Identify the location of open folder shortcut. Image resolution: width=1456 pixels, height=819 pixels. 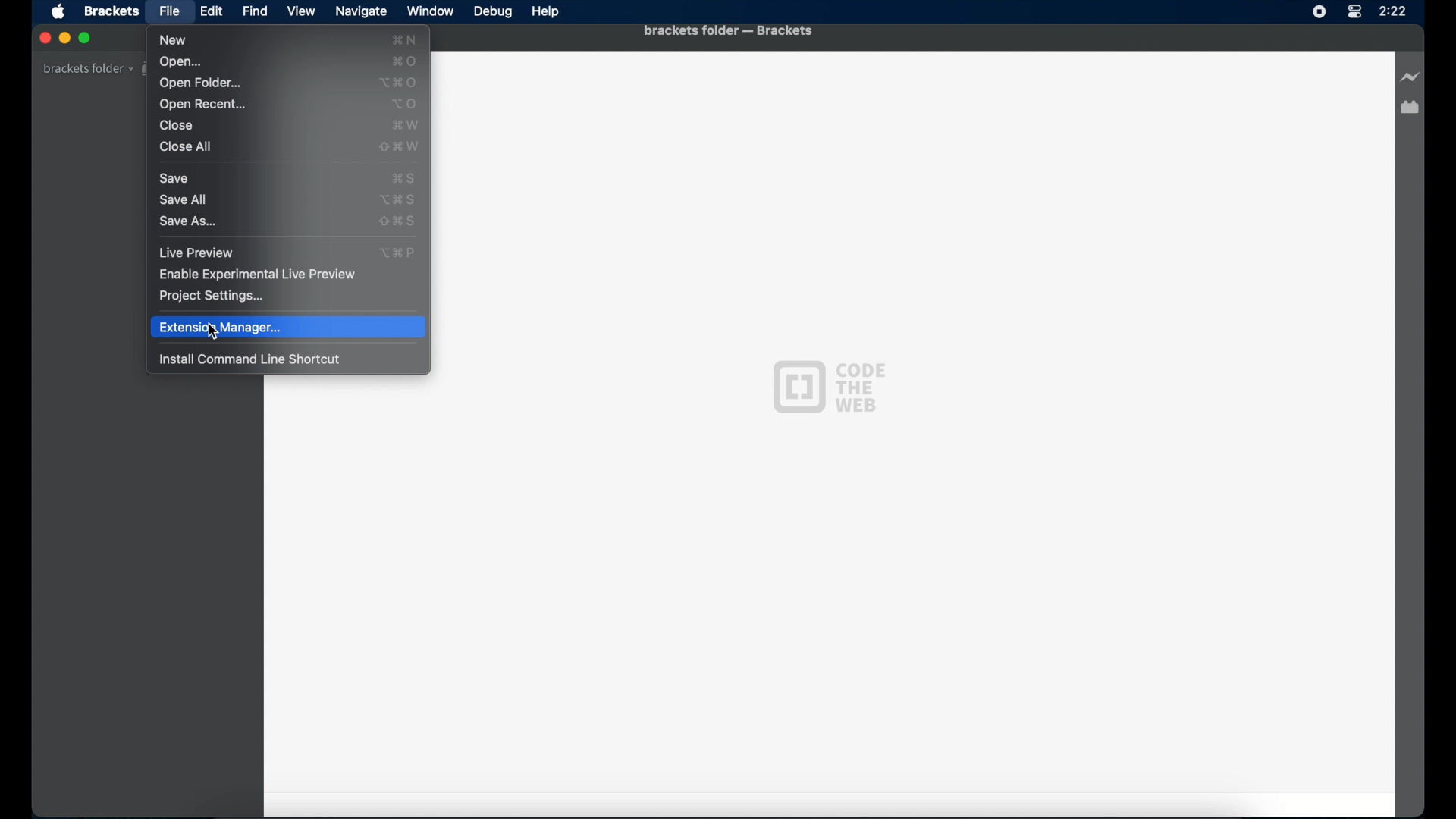
(398, 83).